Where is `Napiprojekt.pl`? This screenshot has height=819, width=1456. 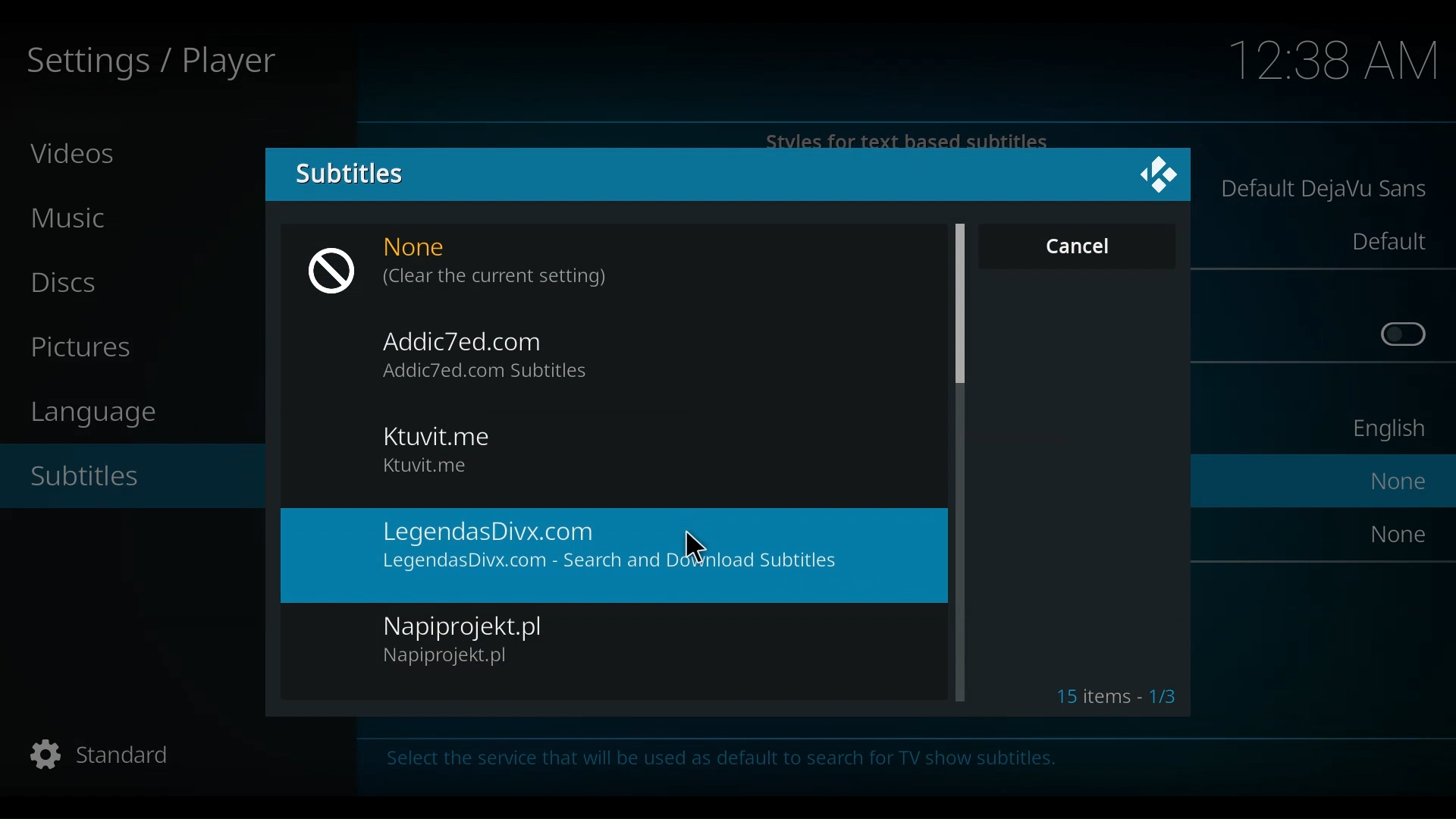 Napiprojekt.pl is located at coordinates (456, 659).